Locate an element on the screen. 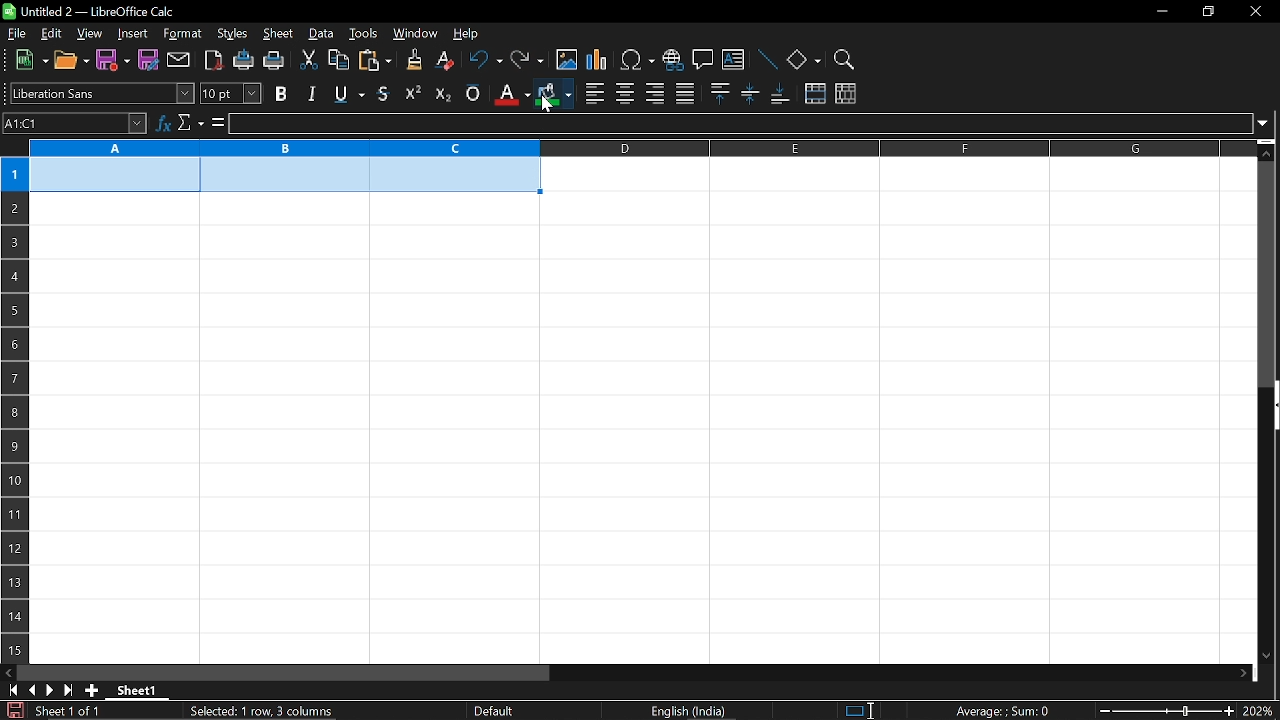  clone formatting is located at coordinates (409, 60).